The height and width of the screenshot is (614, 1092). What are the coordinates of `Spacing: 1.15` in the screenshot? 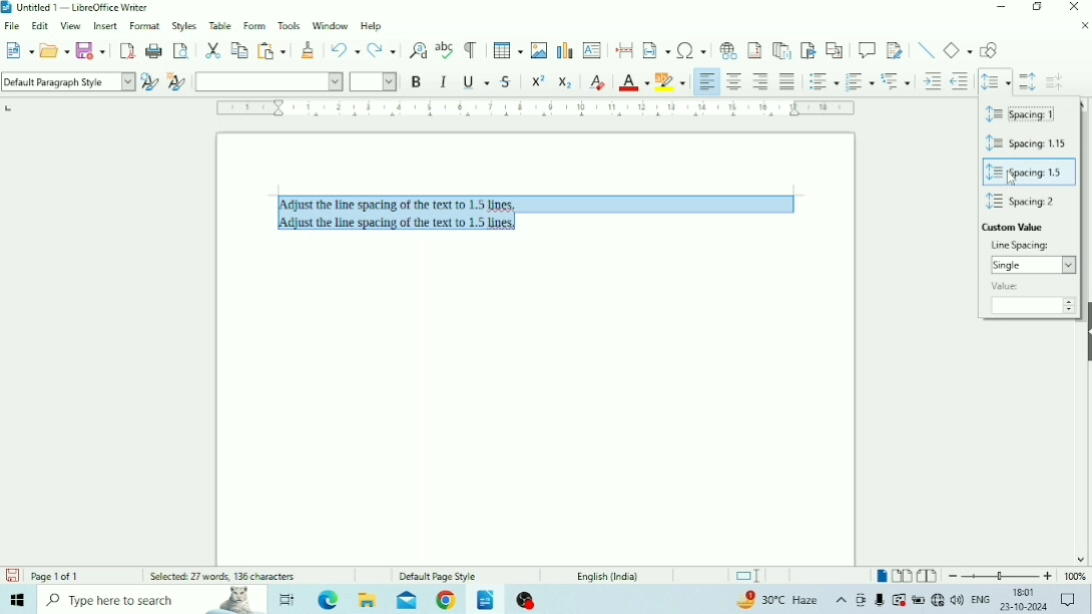 It's located at (1027, 144).